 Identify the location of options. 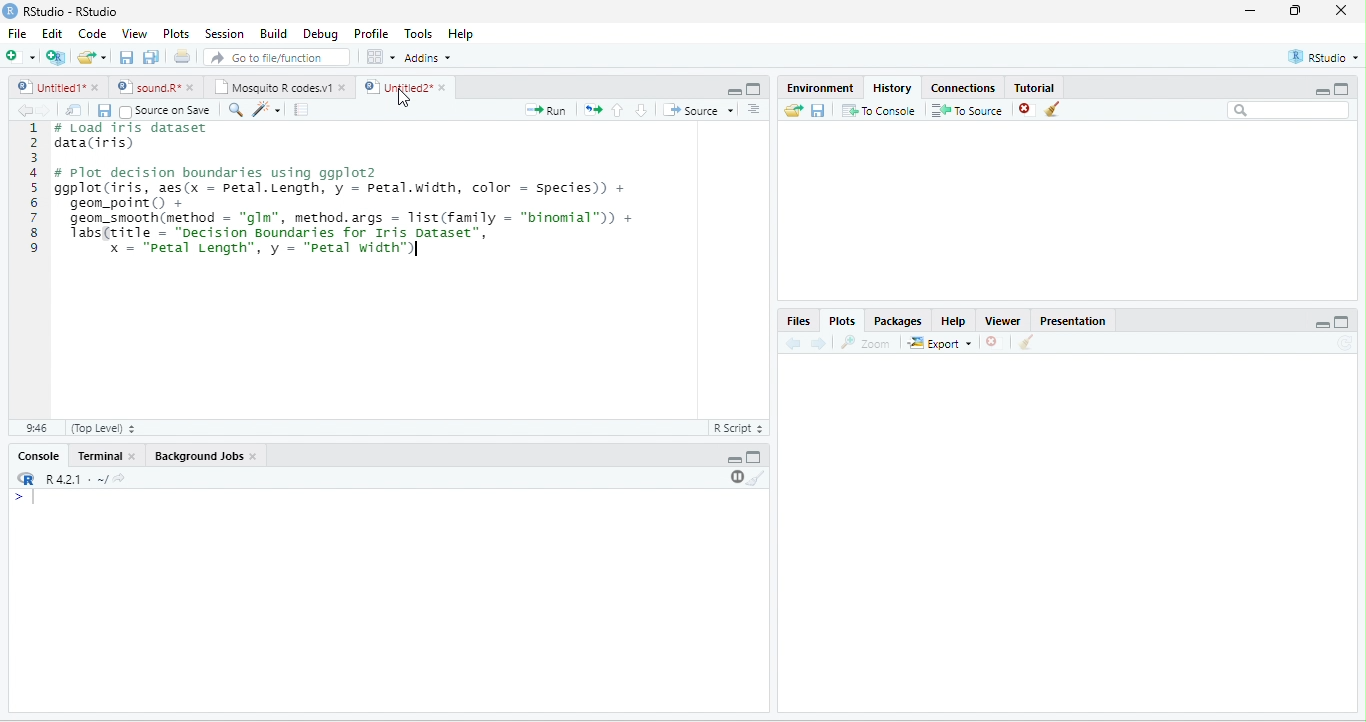
(754, 109).